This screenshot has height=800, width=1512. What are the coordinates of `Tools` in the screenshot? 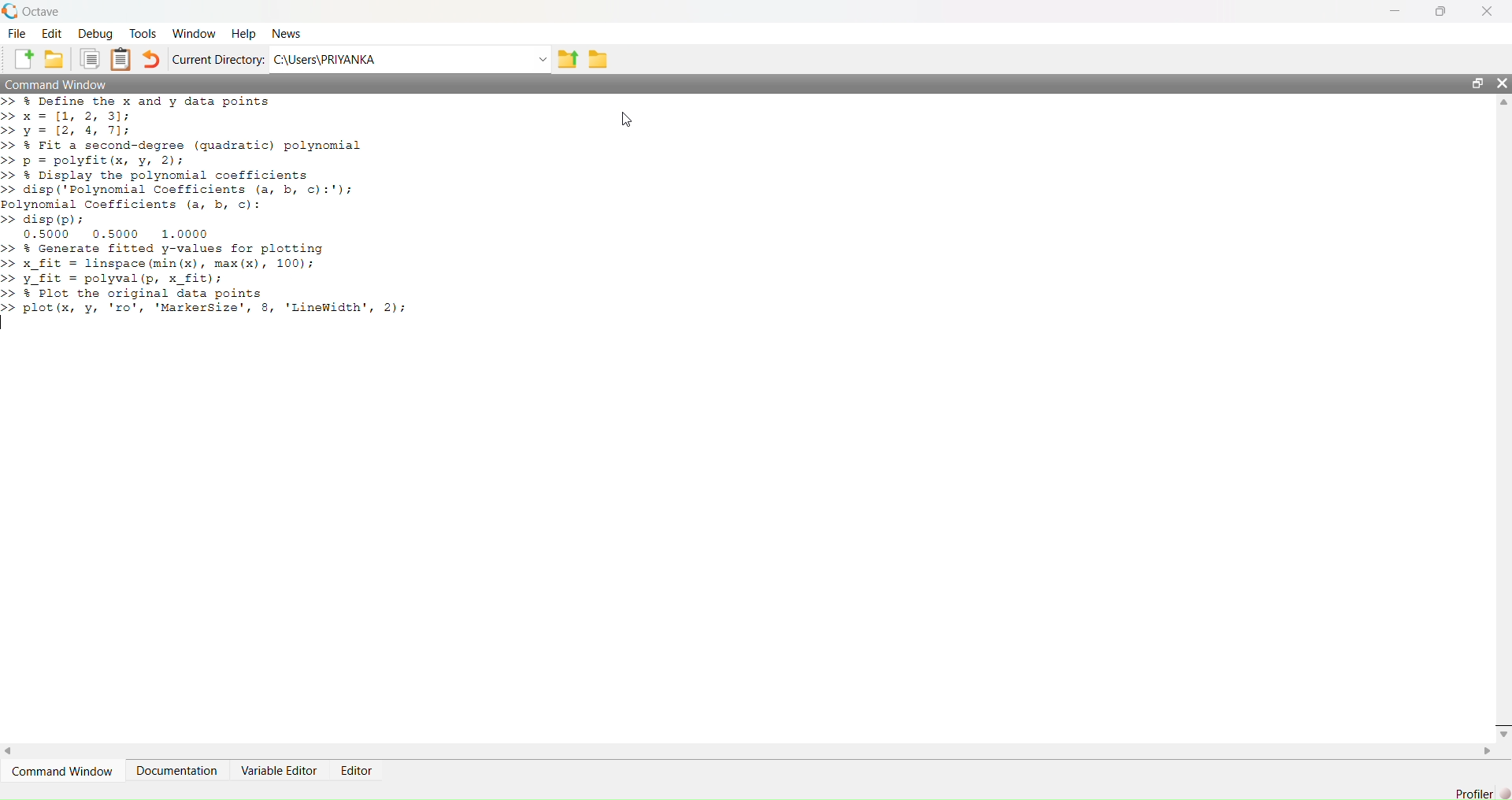 It's located at (143, 34).